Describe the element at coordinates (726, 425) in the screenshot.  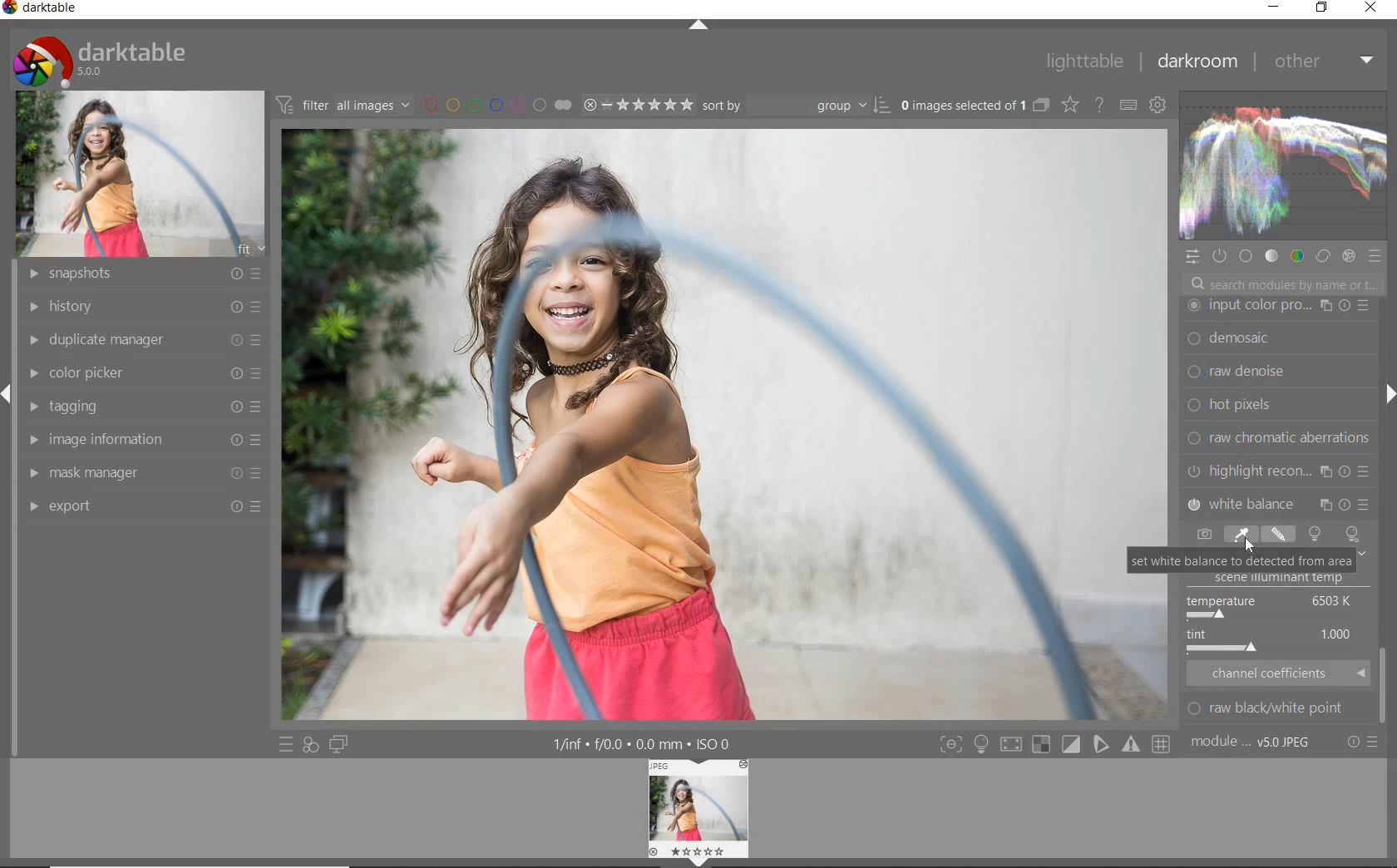
I see `image selected` at that location.